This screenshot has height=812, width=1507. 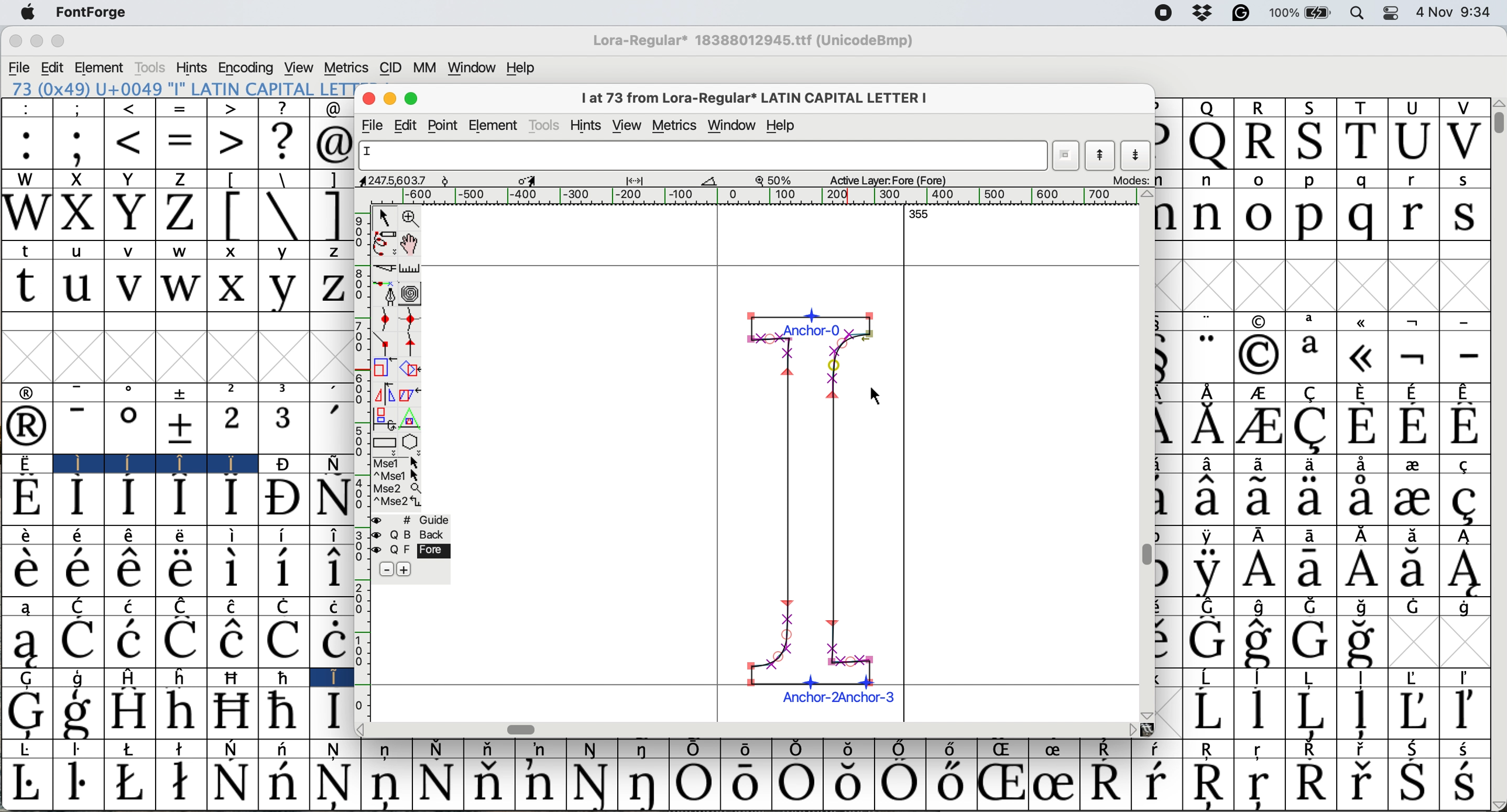 What do you see at coordinates (410, 393) in the screenshot?
I see `skew the selection` at bounding box center [410, 393].